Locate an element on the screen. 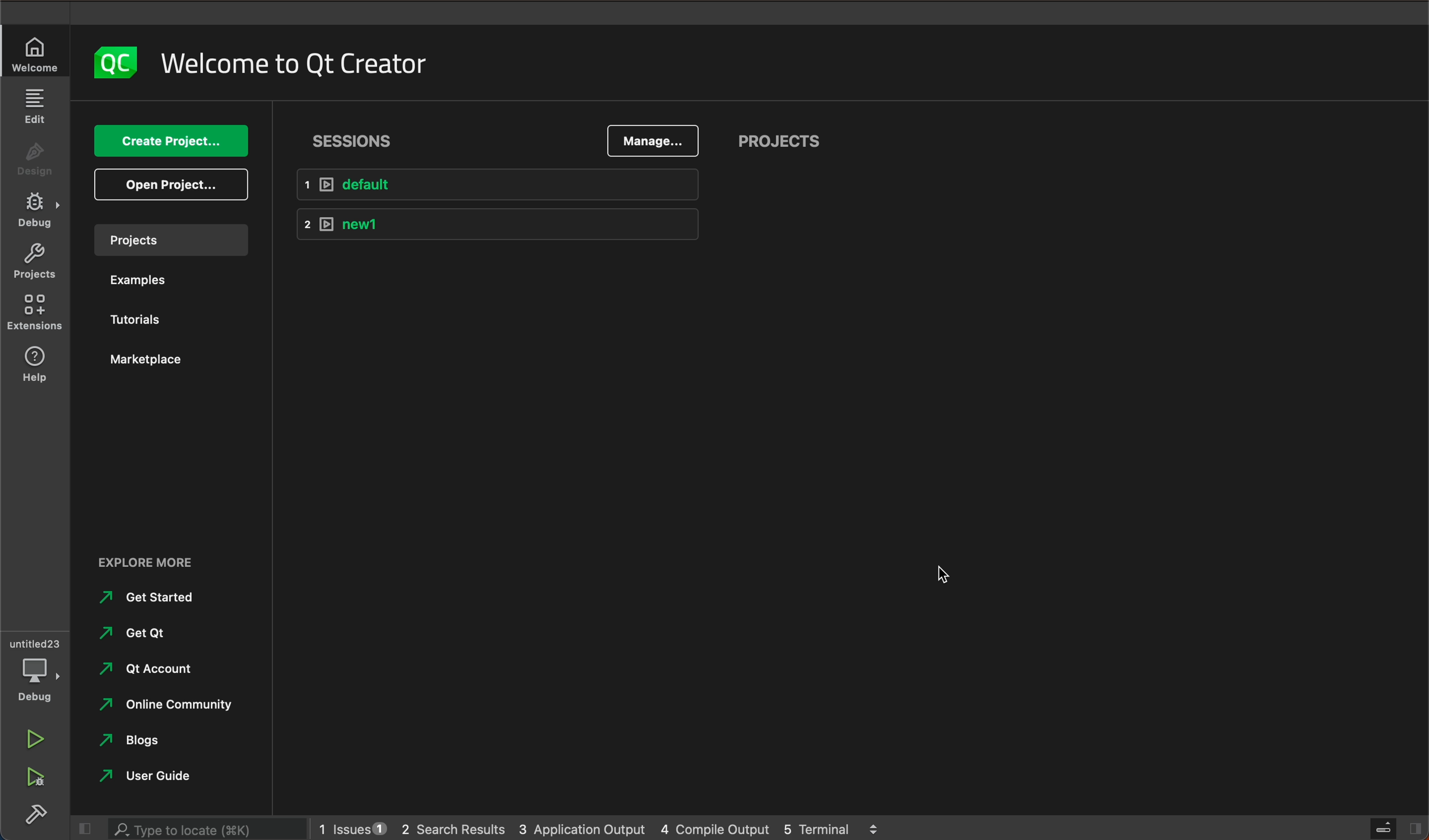 This screenshot has height=840, width=1429. logo is located at coordinates (113, 62).